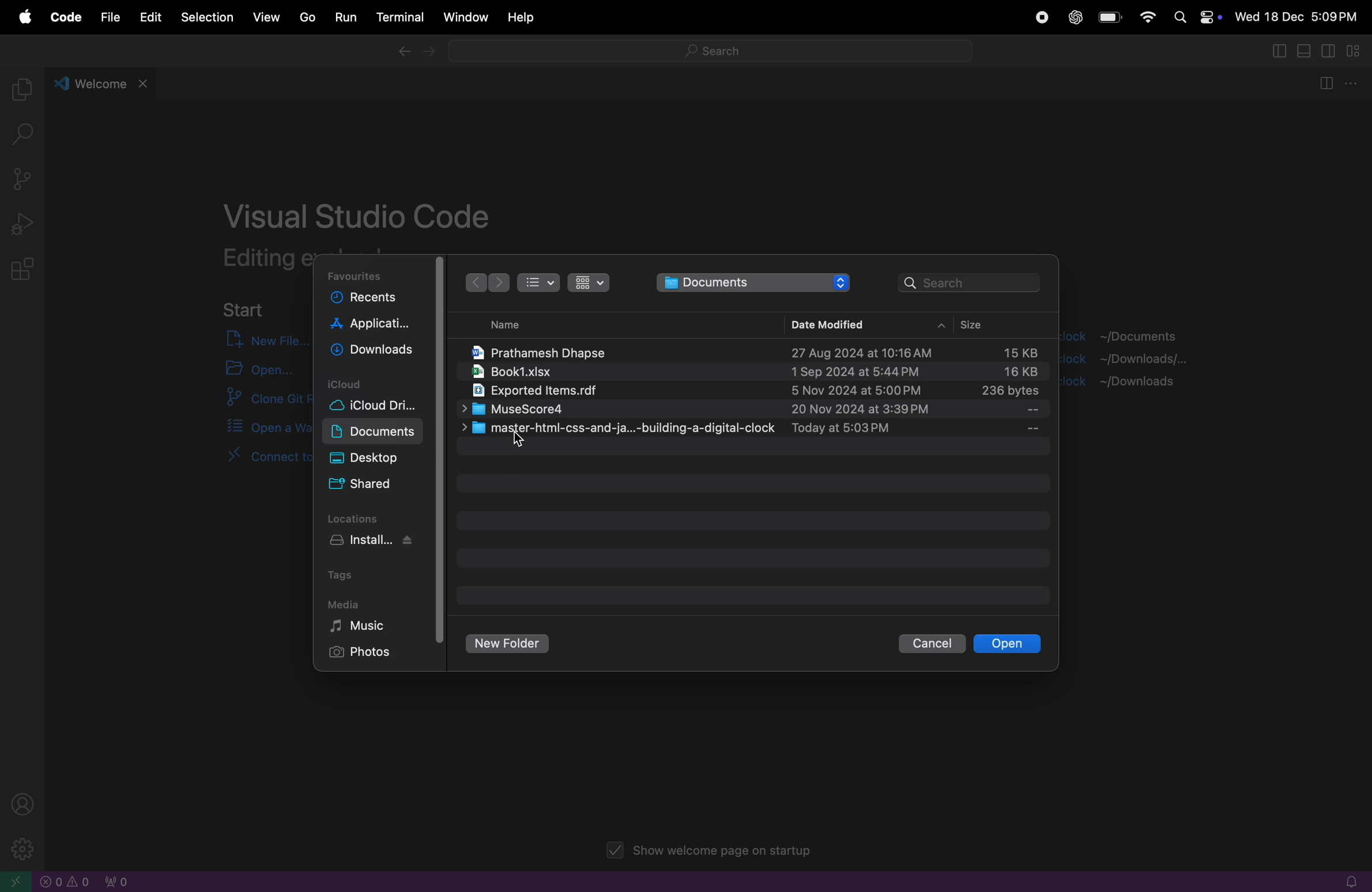  What do you see at coordinates (346, 574) in the screenshot?
I see `tags` at bounding box center [346, 574].